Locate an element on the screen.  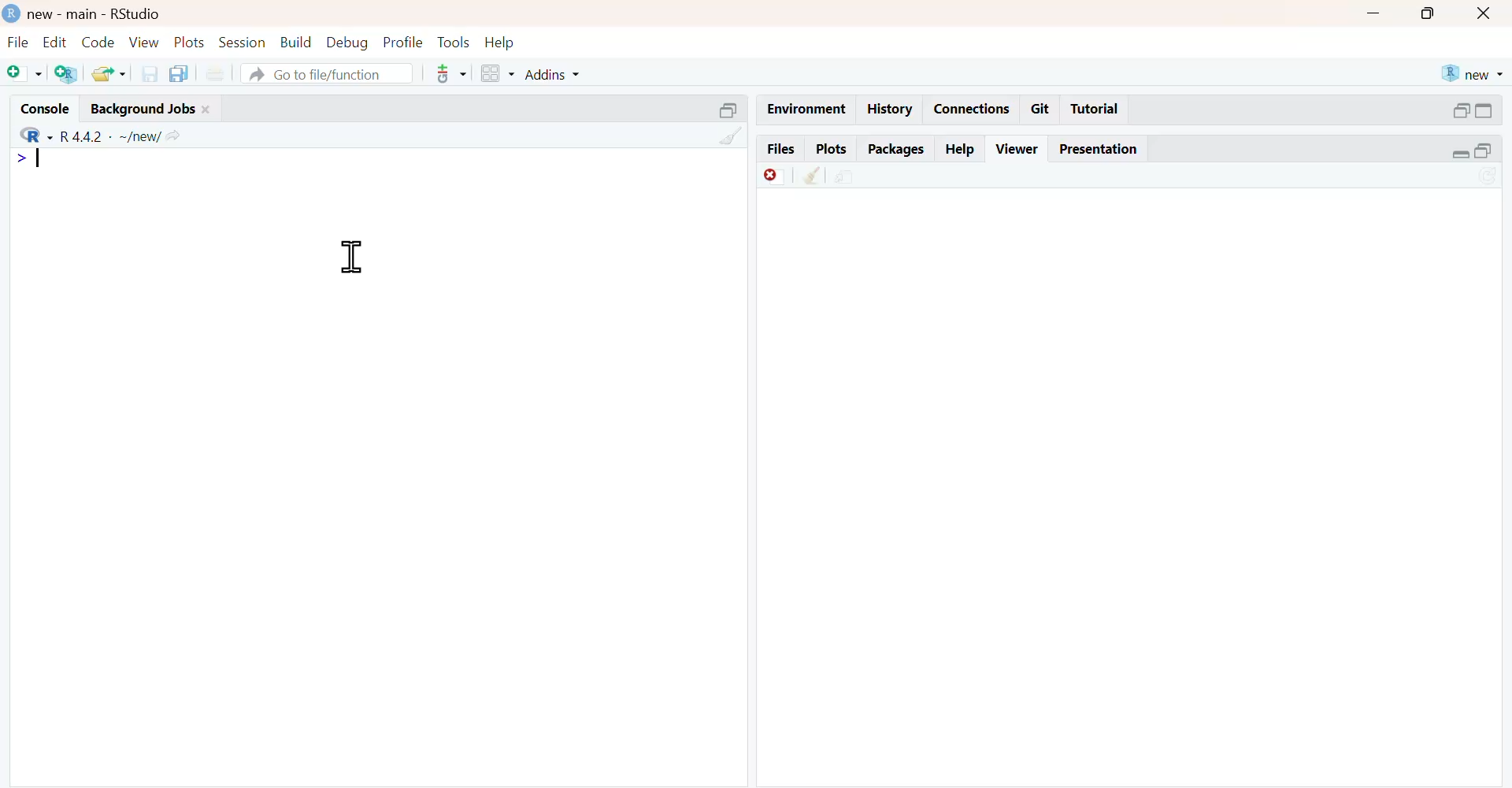
new is located at coordinates (1474, 74).